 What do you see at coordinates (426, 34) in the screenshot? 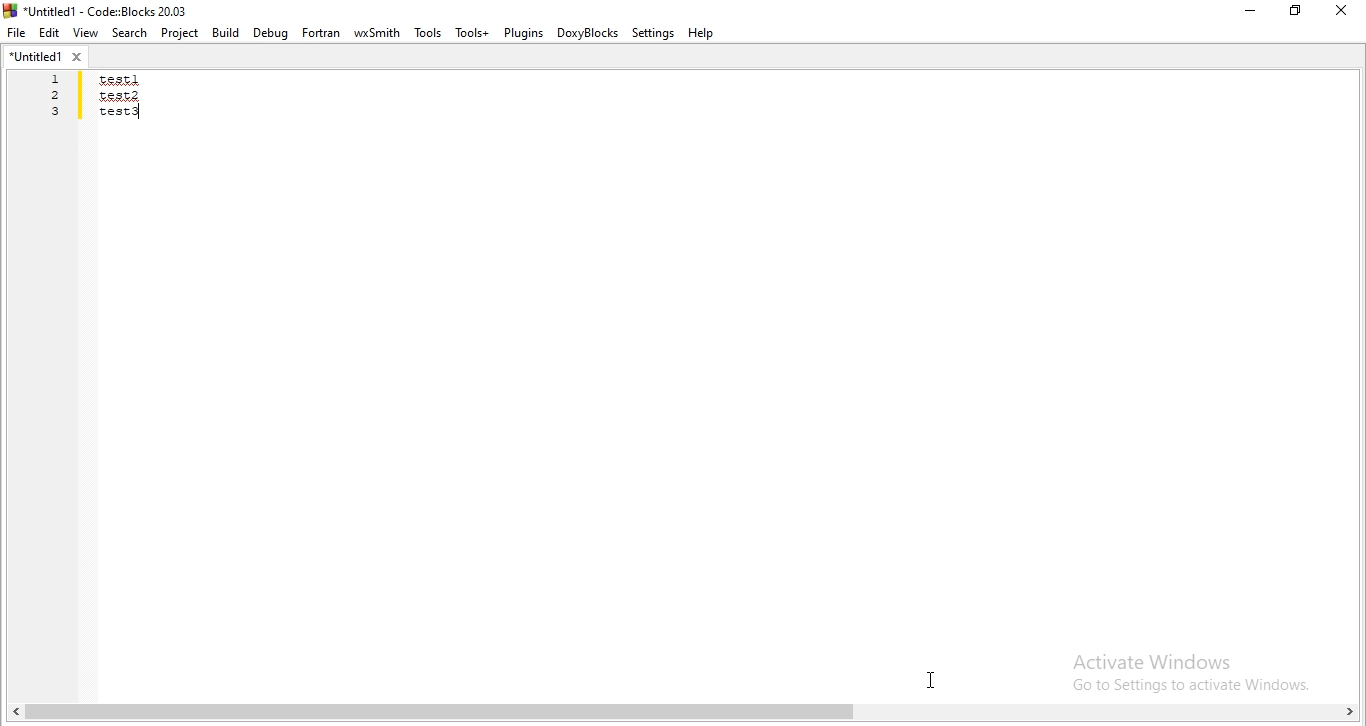
I see `Tools ` at bounding box center [426, 34].